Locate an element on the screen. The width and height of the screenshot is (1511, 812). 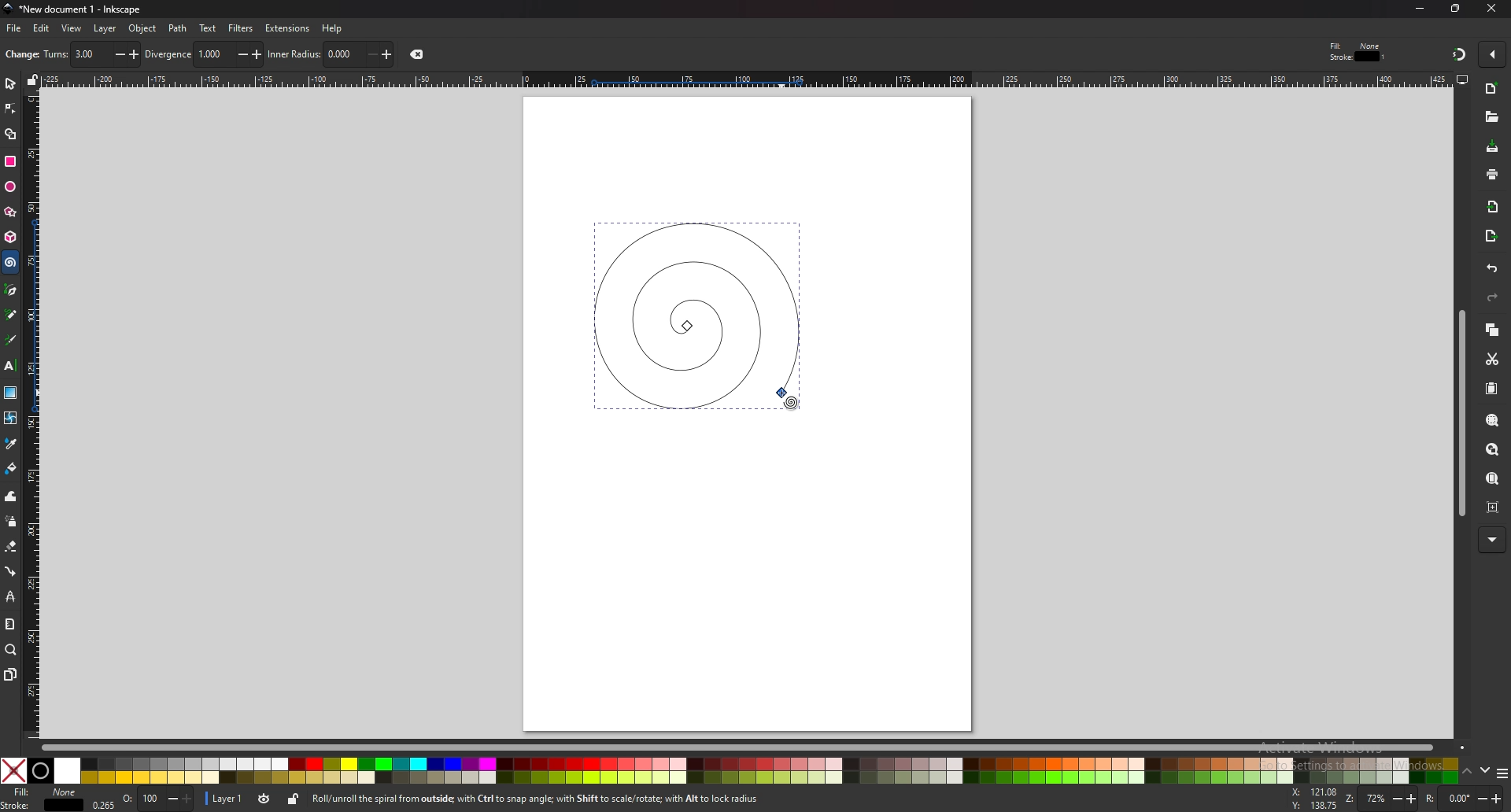
import is located at coordinates (1492, 207).